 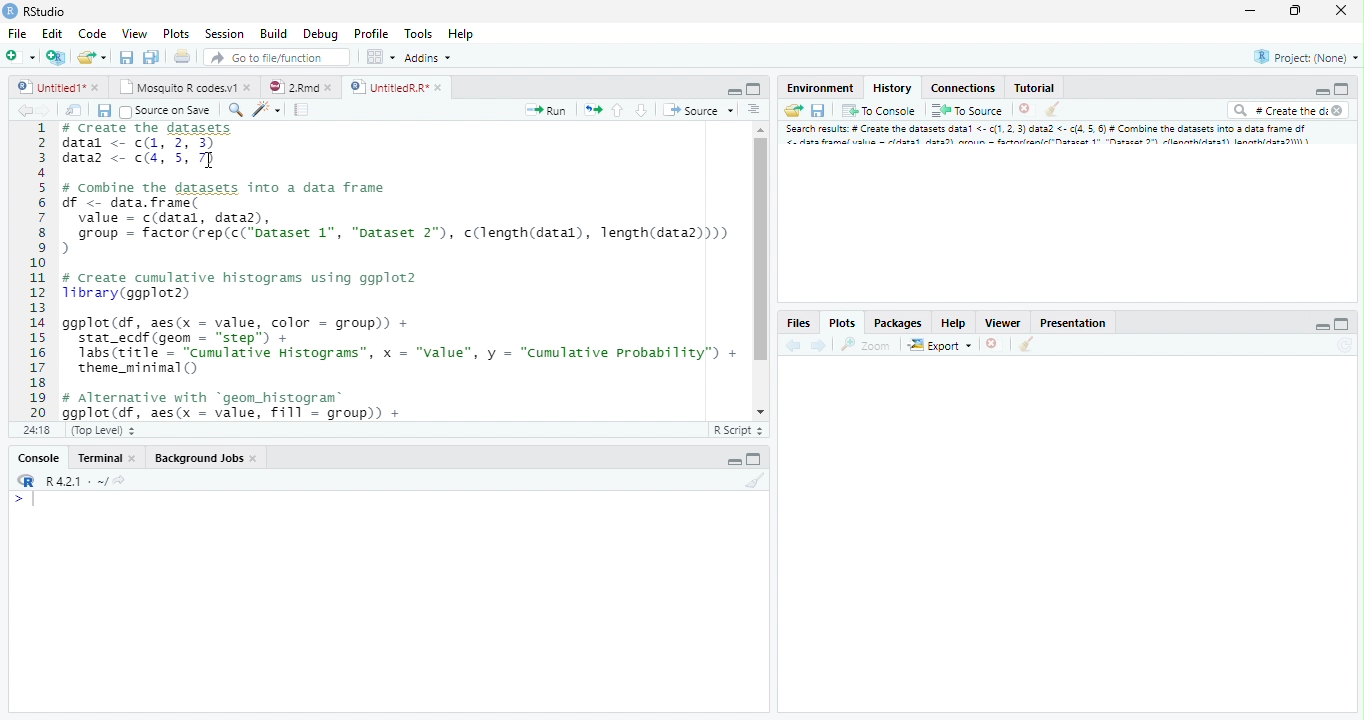 What do you see at coordinates (755, 113) in the screenshot?
I see `Alignment` at bounding box center [755, 113].